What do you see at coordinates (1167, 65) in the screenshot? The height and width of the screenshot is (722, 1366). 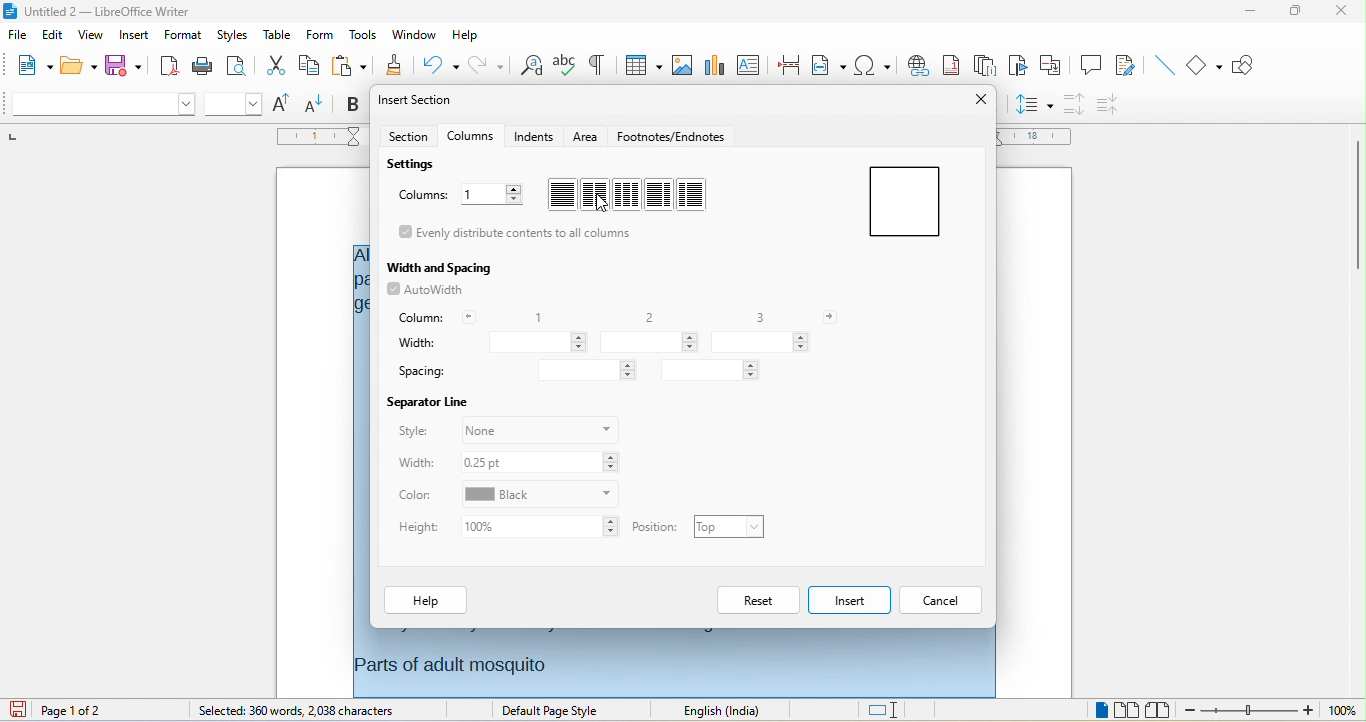 I see `insert line` at bounding box center [1167, 65].